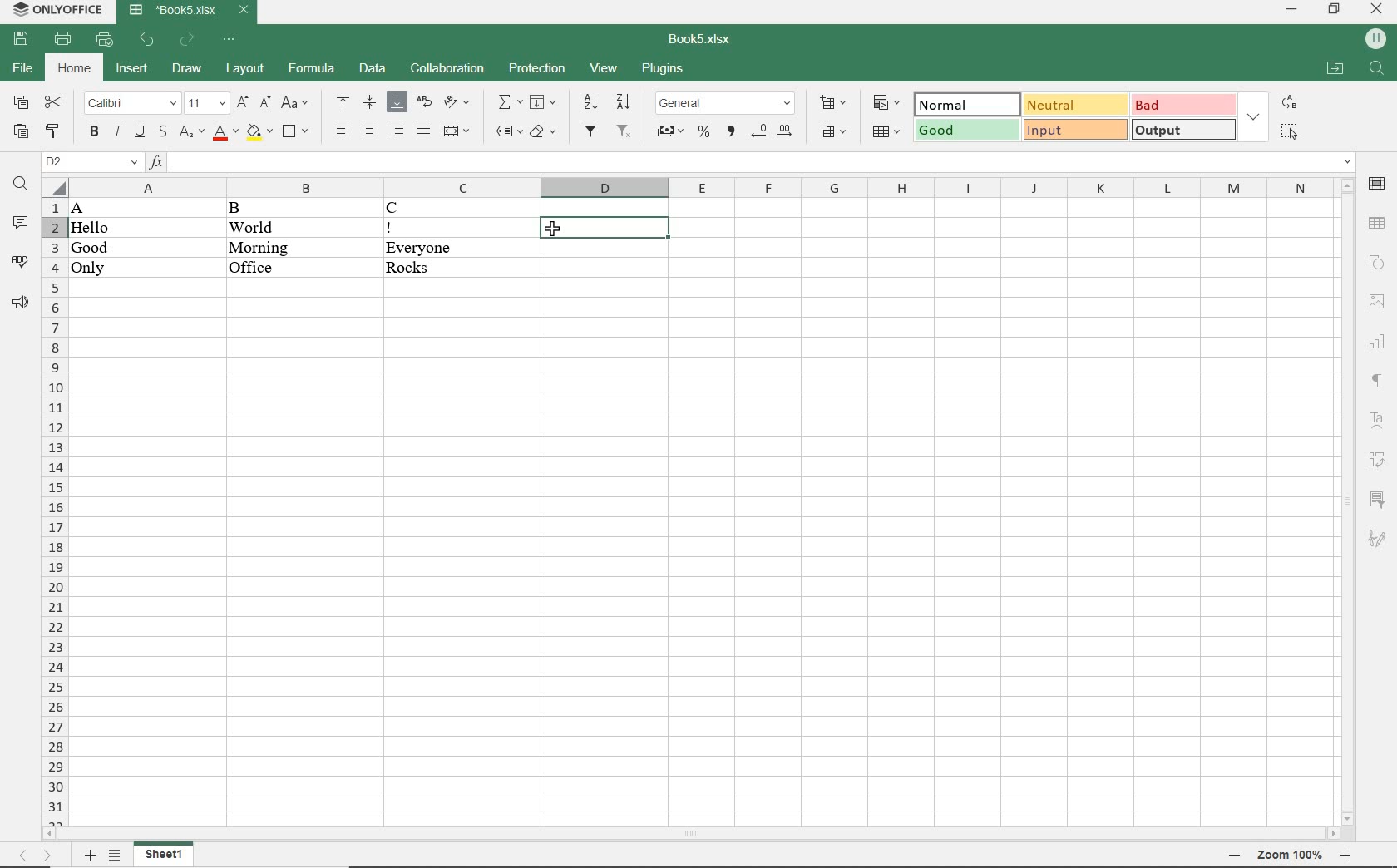 The image size is (1397, 868). I want to click on good, so click(966, 131).